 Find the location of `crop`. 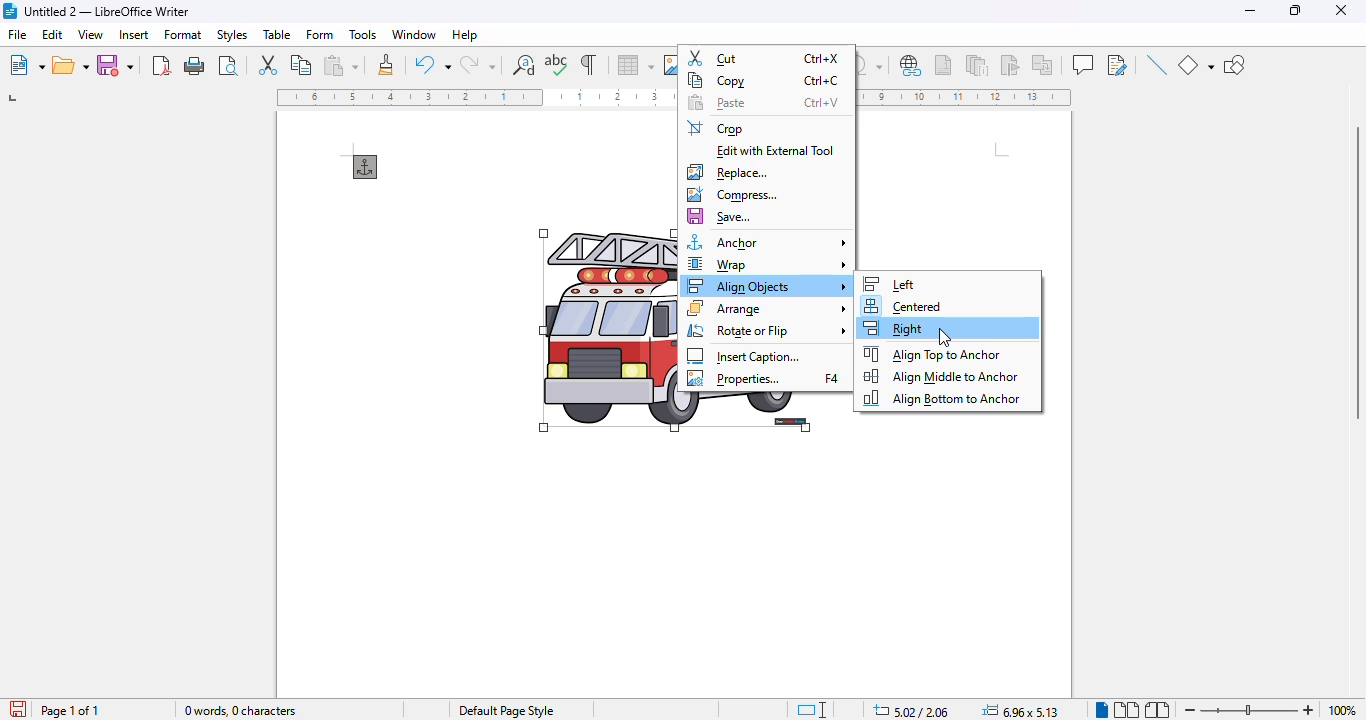

crop is located at coordinates (716, 128).